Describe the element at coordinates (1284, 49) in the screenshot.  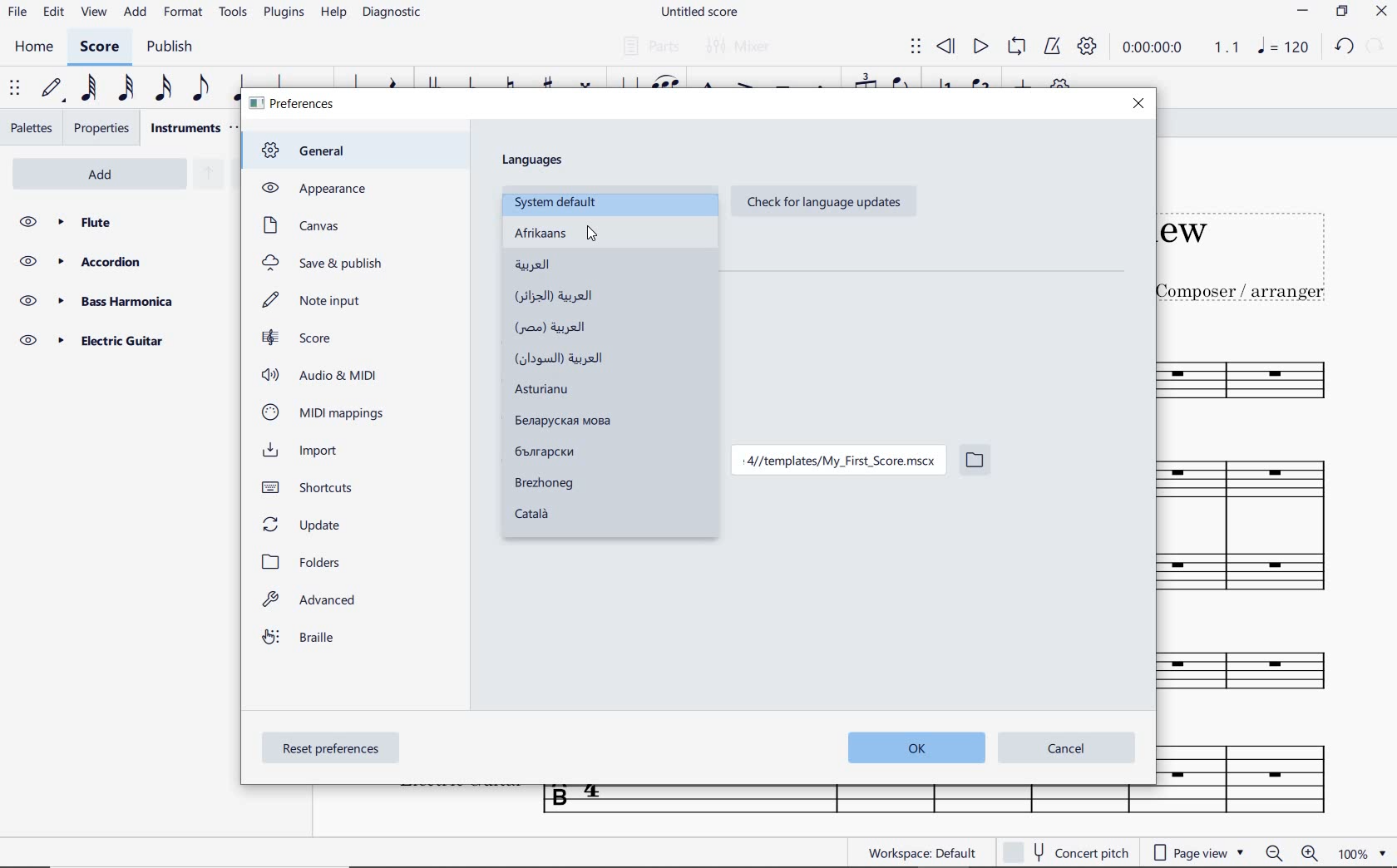
I see `NOTE` at that location.